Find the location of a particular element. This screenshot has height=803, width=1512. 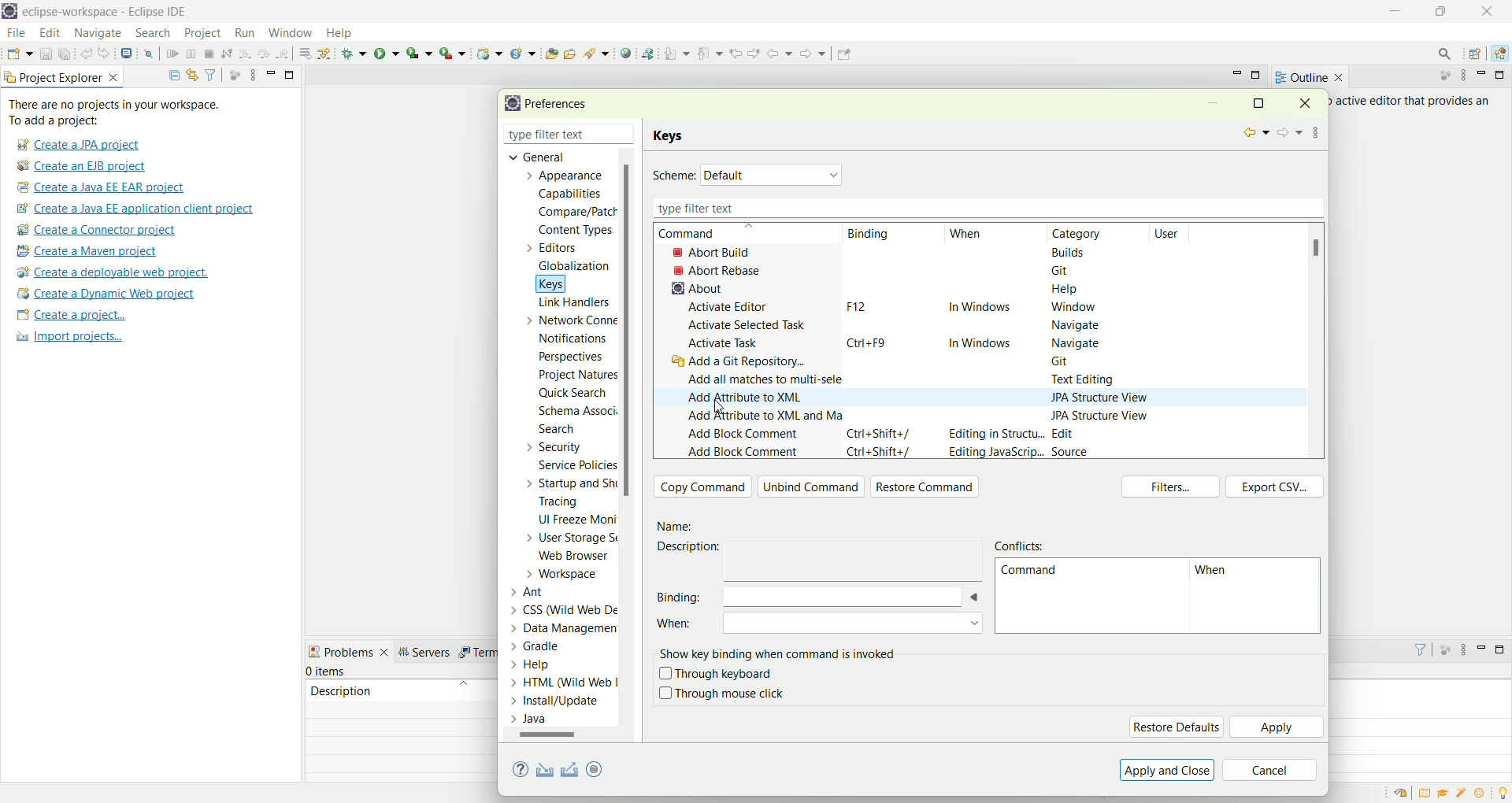

step into is located at coordinates (245, 52).